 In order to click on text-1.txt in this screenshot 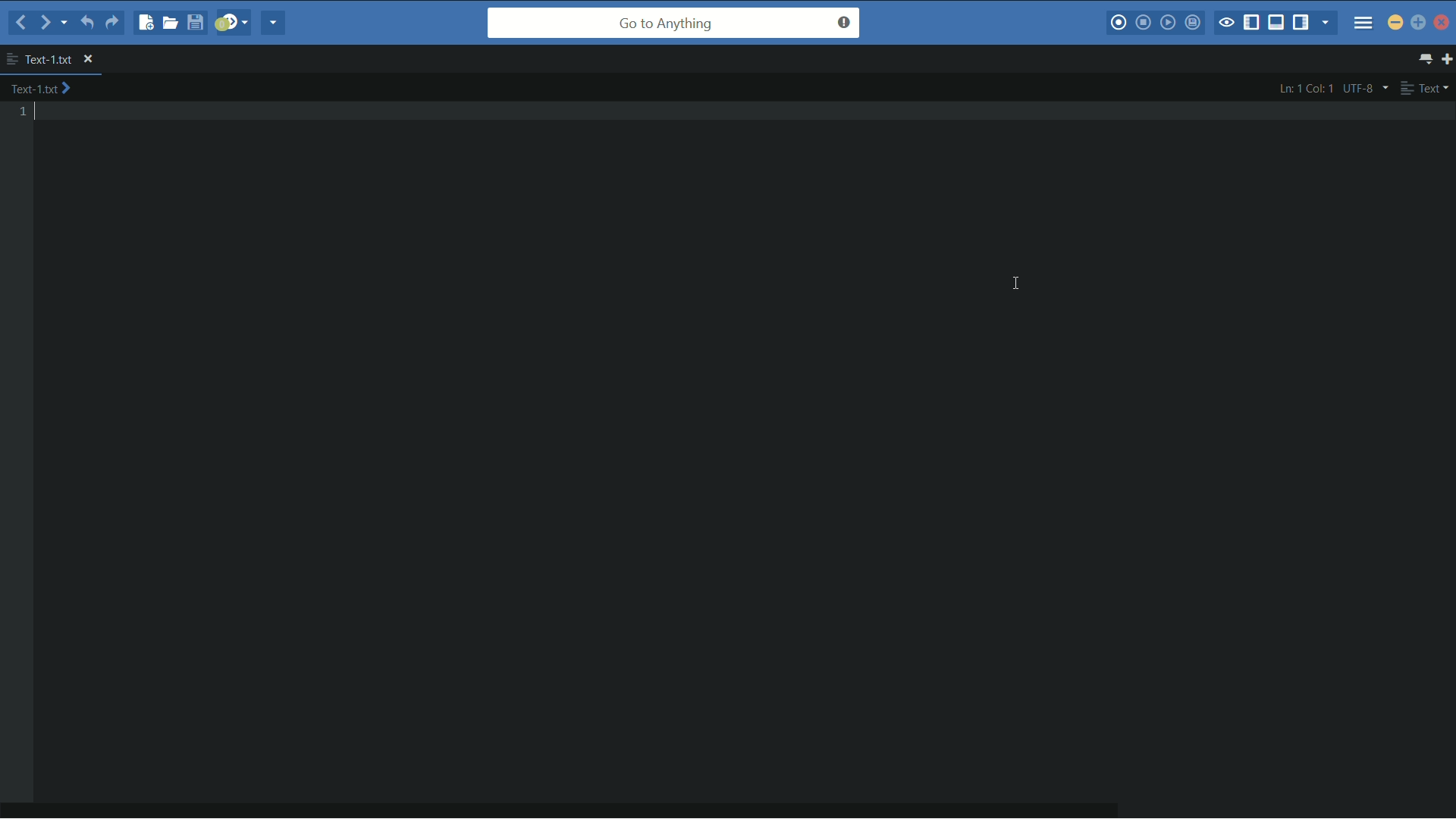, I will do `click(47, 89)`.